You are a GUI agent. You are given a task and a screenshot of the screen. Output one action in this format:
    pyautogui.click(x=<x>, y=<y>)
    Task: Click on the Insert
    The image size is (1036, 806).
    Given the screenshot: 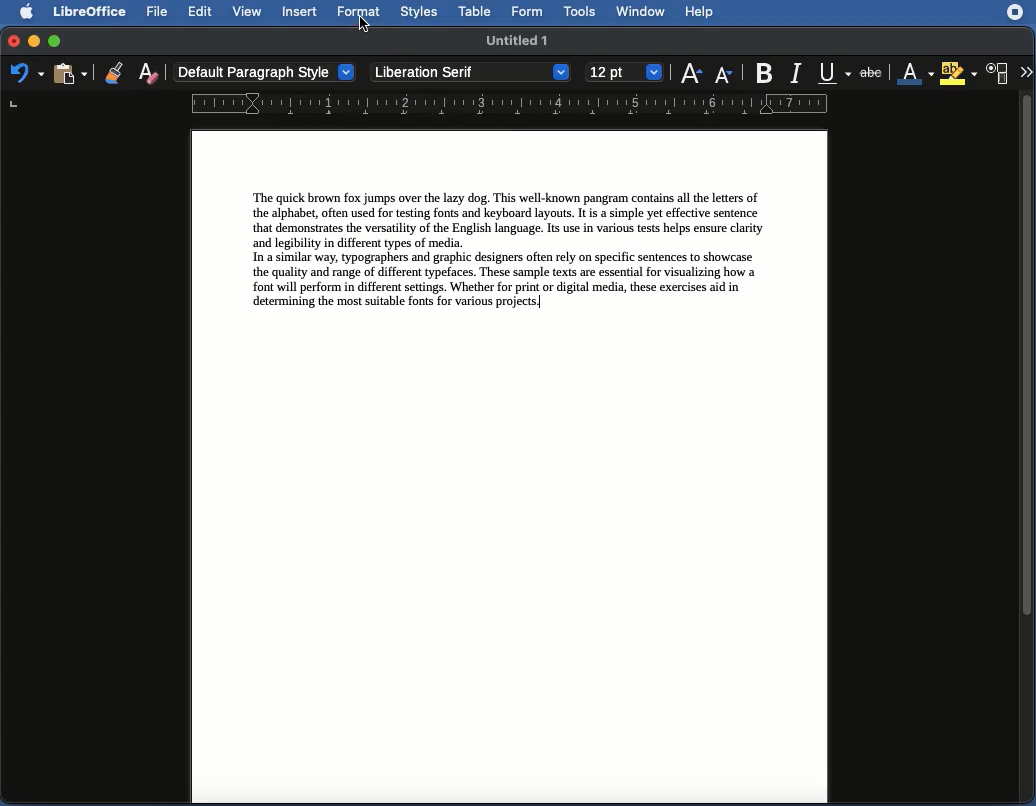 What is the action you would take?
    pyautogui.click(x=299, y=12)
    